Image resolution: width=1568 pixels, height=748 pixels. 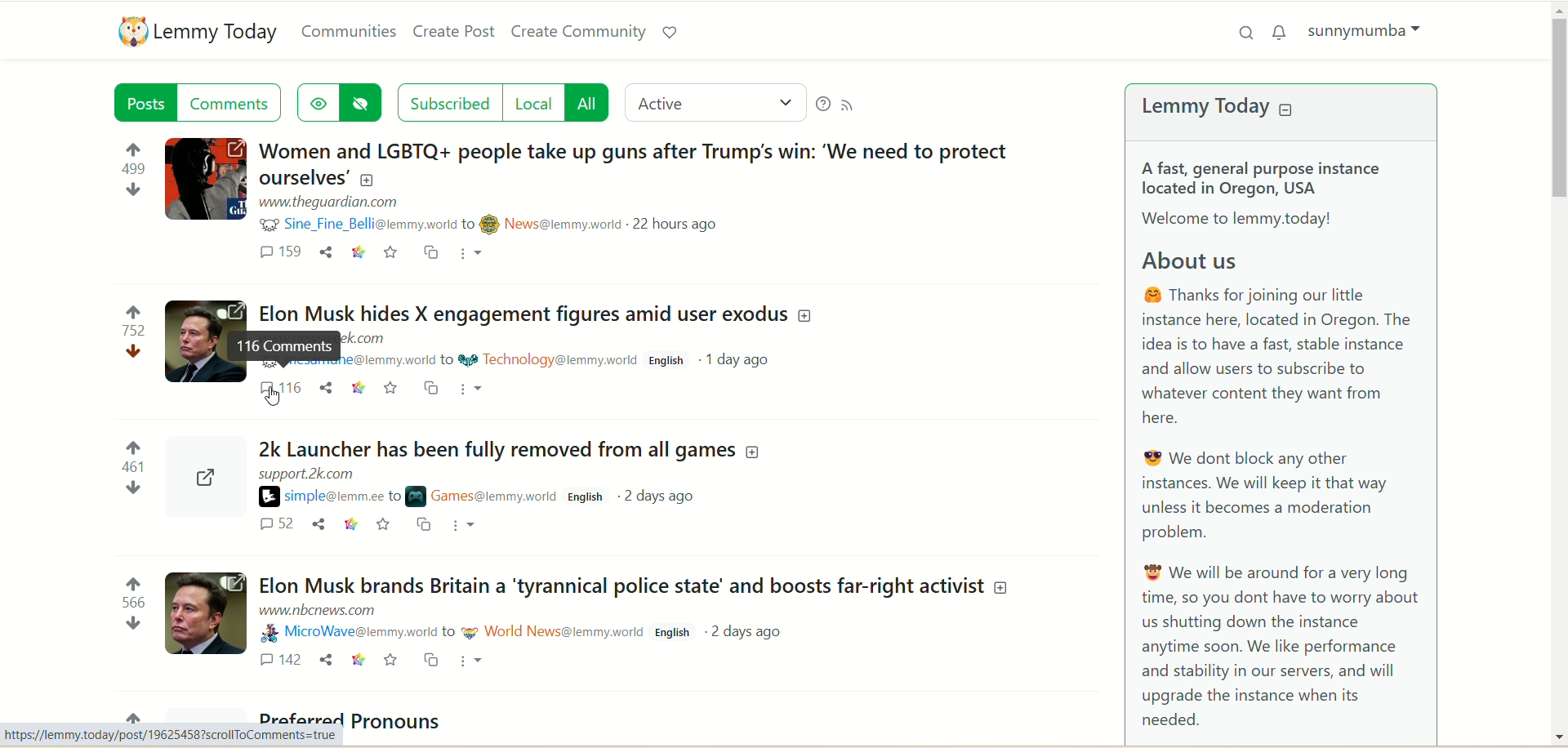 I want to click on sunnymumba, so click(x=1364, y=36).